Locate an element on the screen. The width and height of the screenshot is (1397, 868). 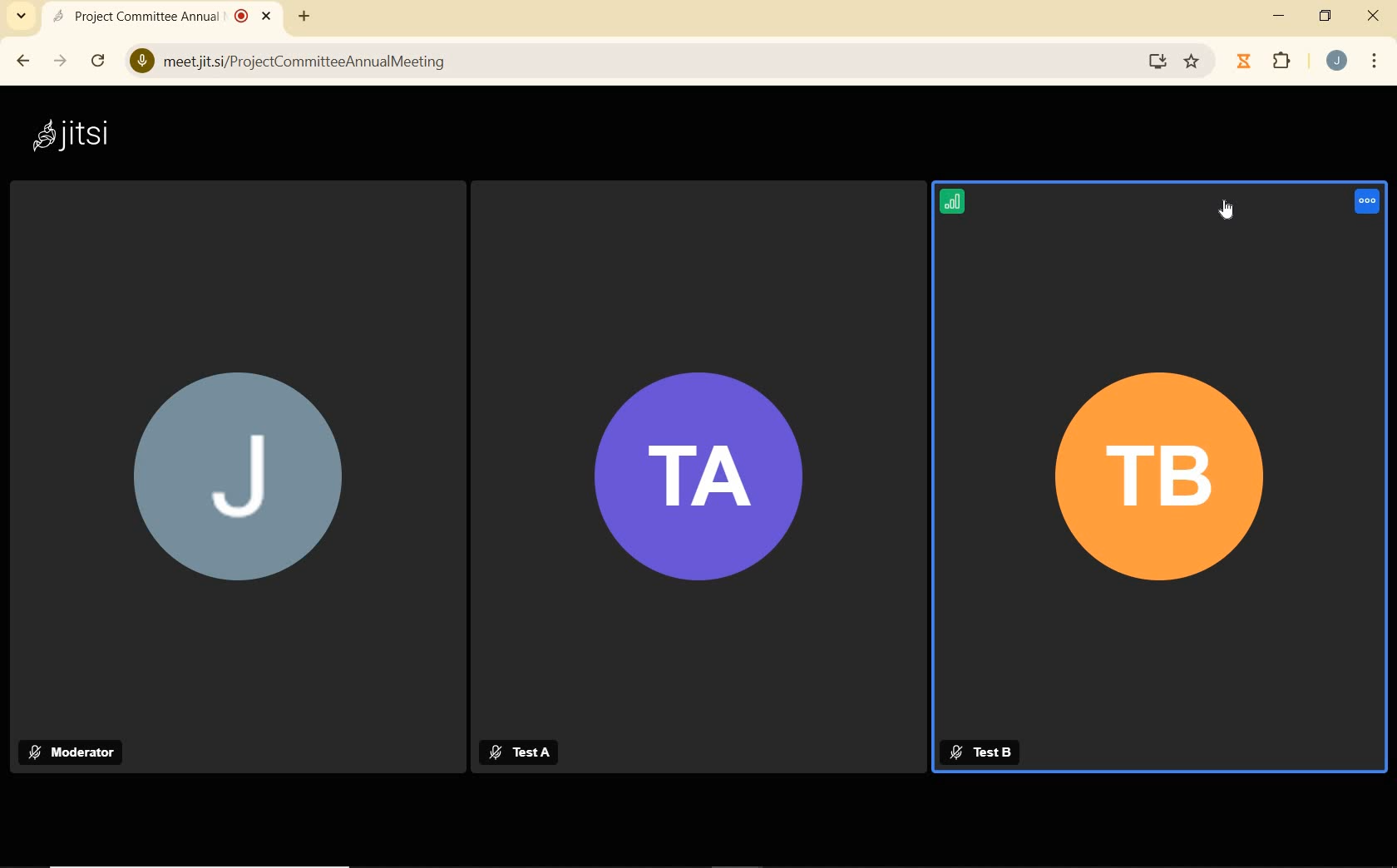
CURSOR is located at coordinates (1228, 213).